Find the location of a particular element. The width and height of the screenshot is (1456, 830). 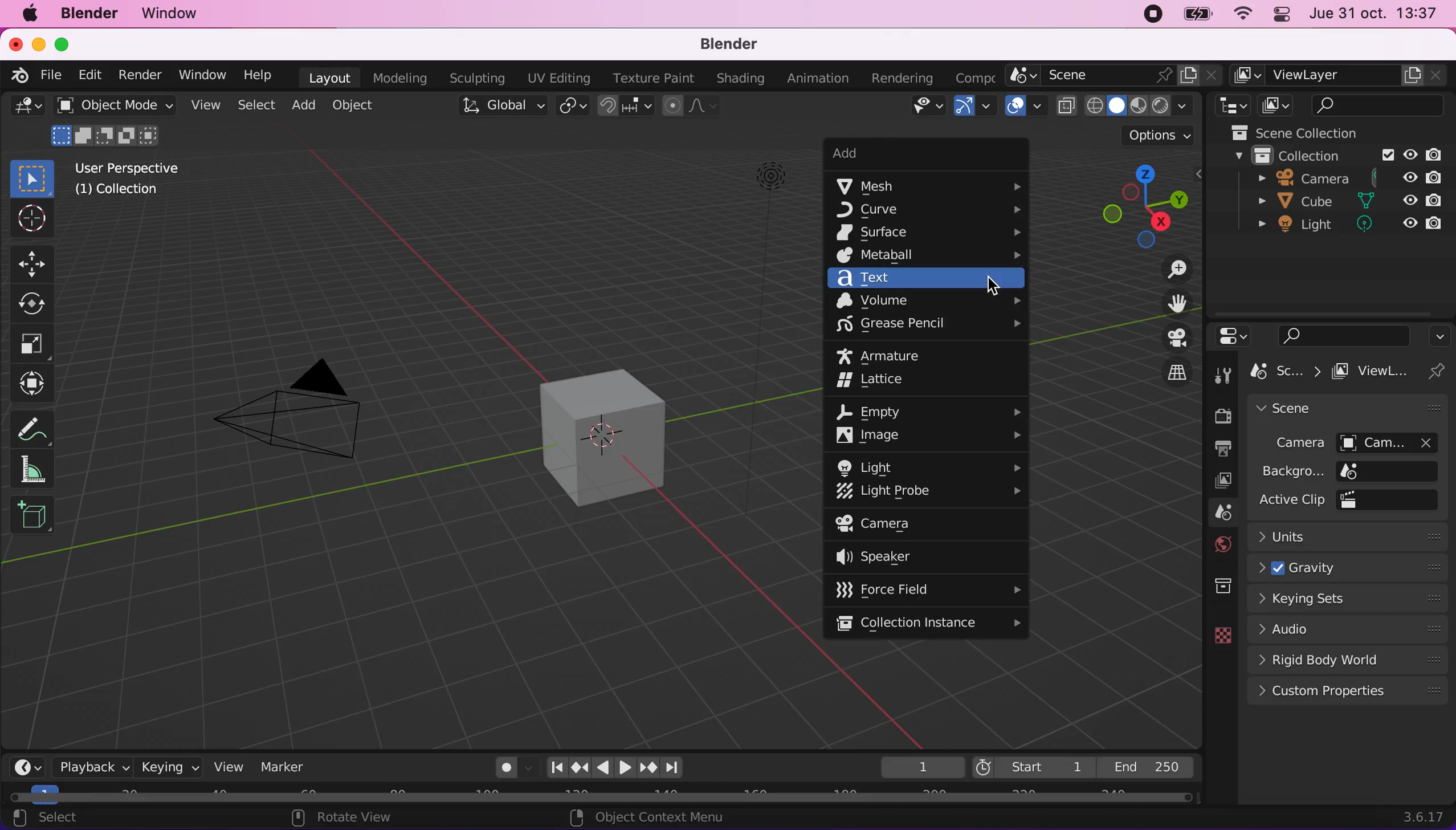

image is located at coordinates (928, 436).